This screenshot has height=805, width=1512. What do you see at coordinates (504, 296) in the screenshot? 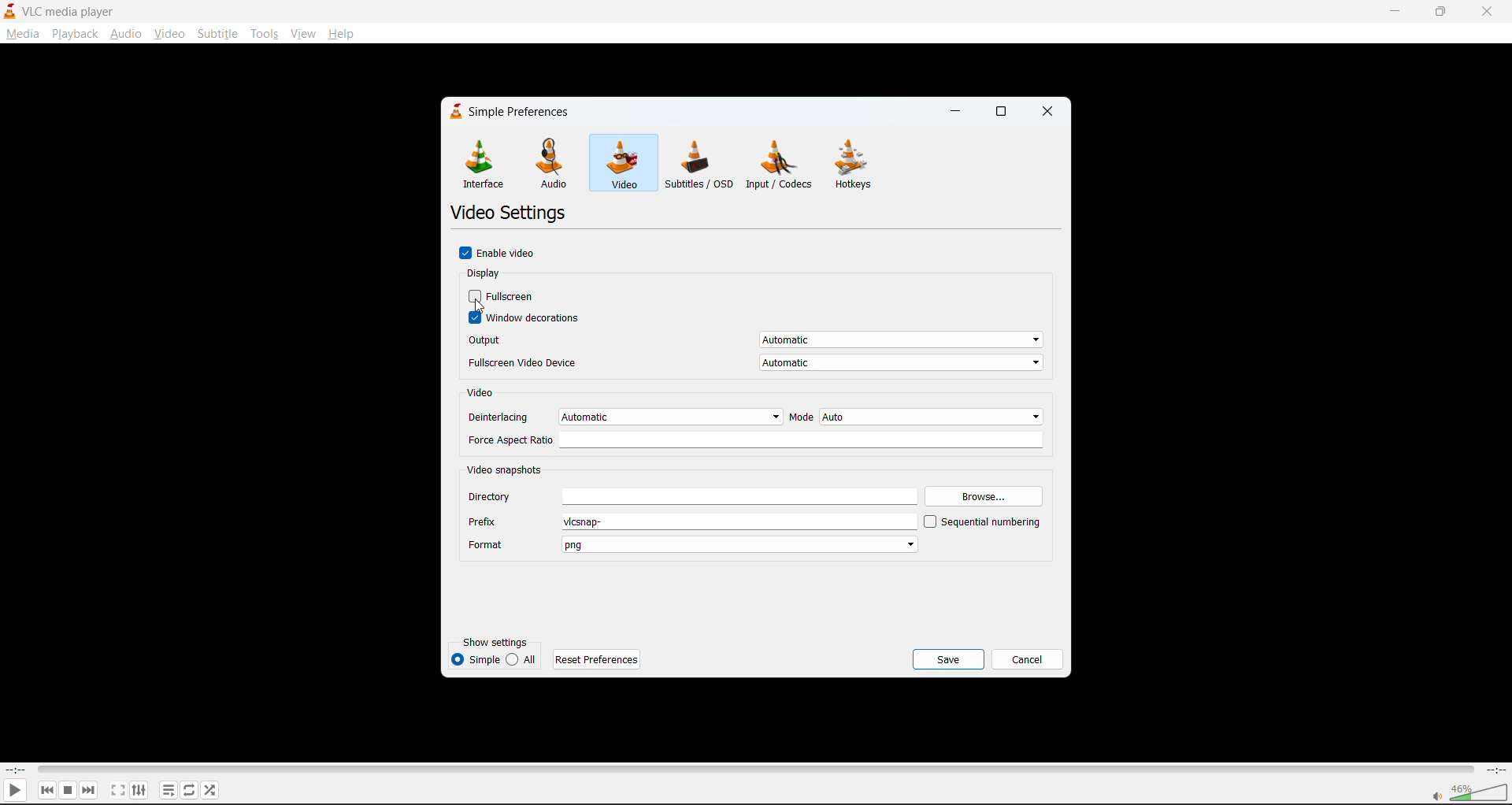
I see `fullscreen` at bounding box center [504, 296].